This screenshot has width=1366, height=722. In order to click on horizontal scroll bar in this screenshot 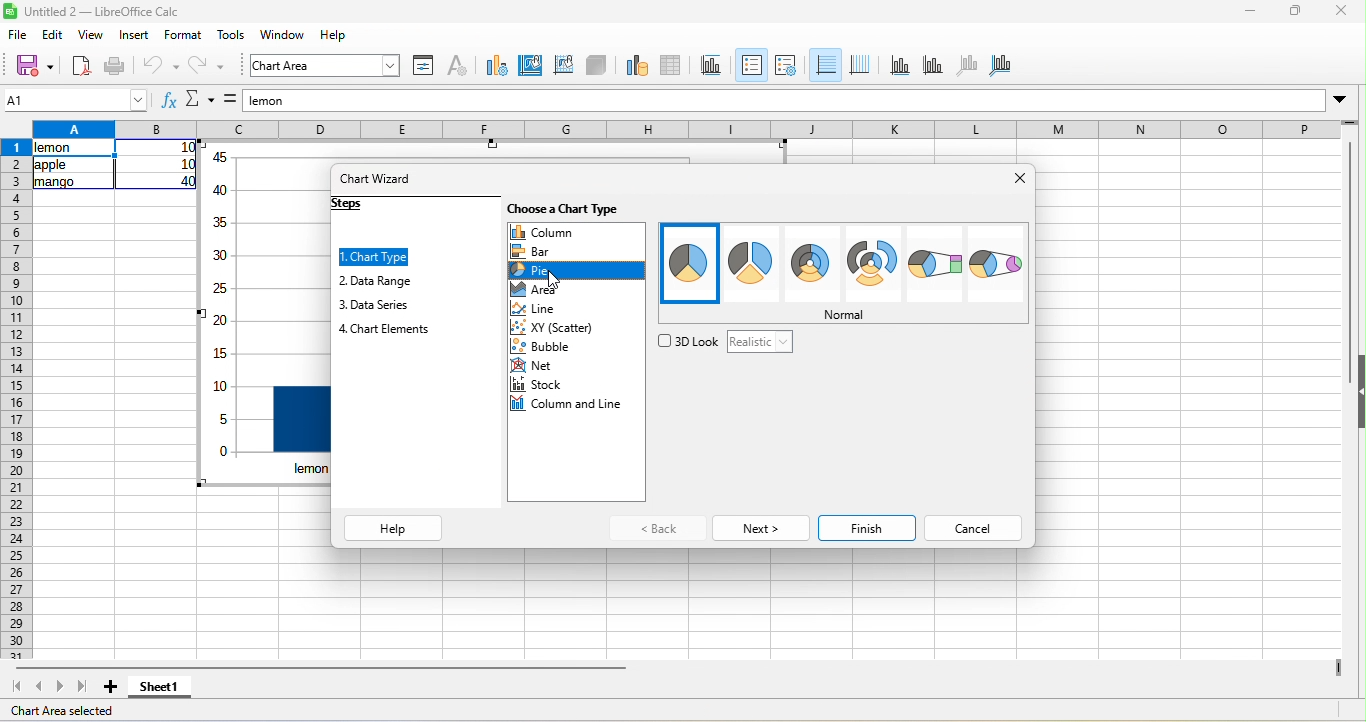, I will do `click(318, 667)`.